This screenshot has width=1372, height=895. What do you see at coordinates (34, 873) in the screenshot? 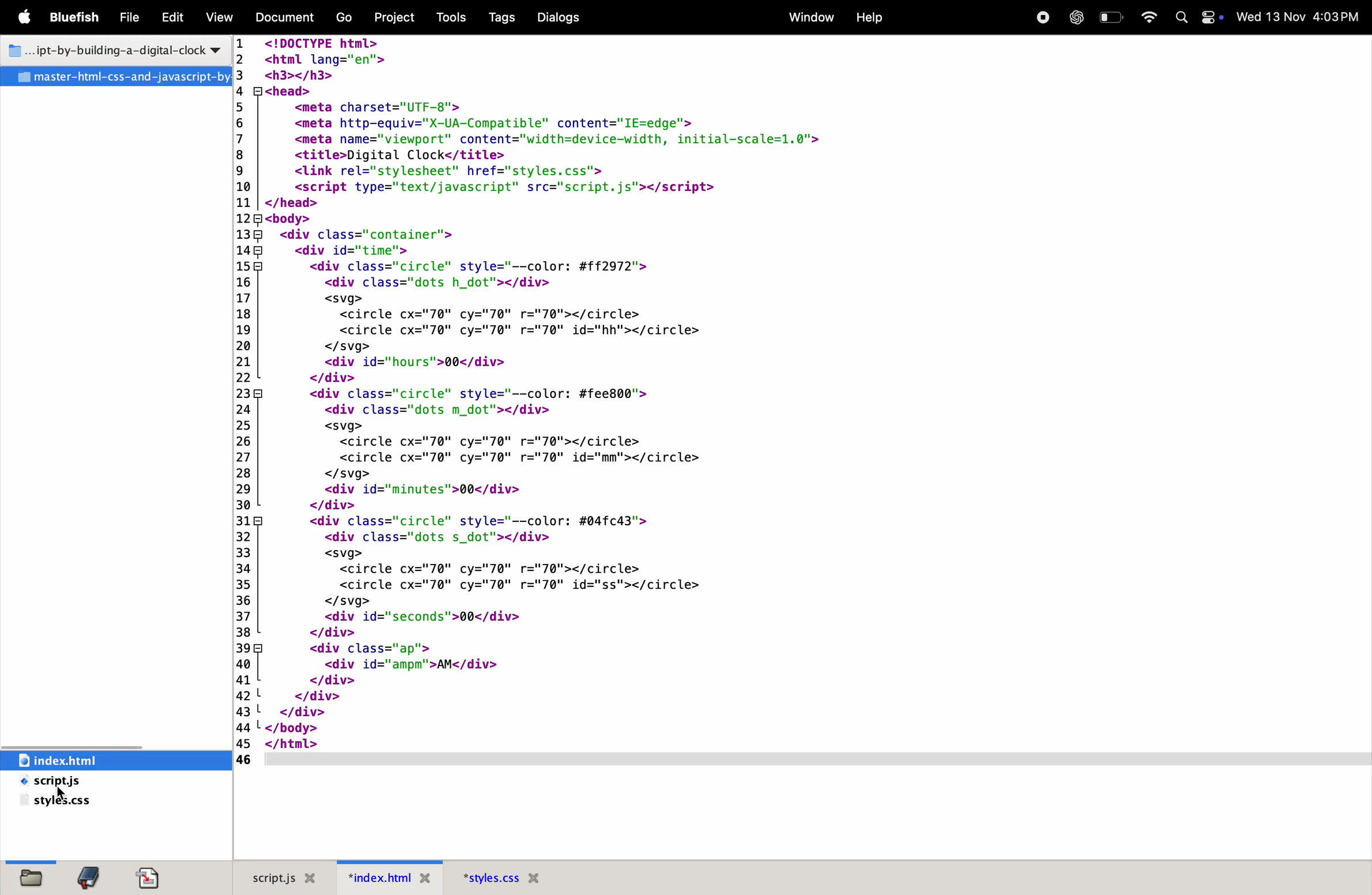
I see `files` at bounding box center [34, 873].